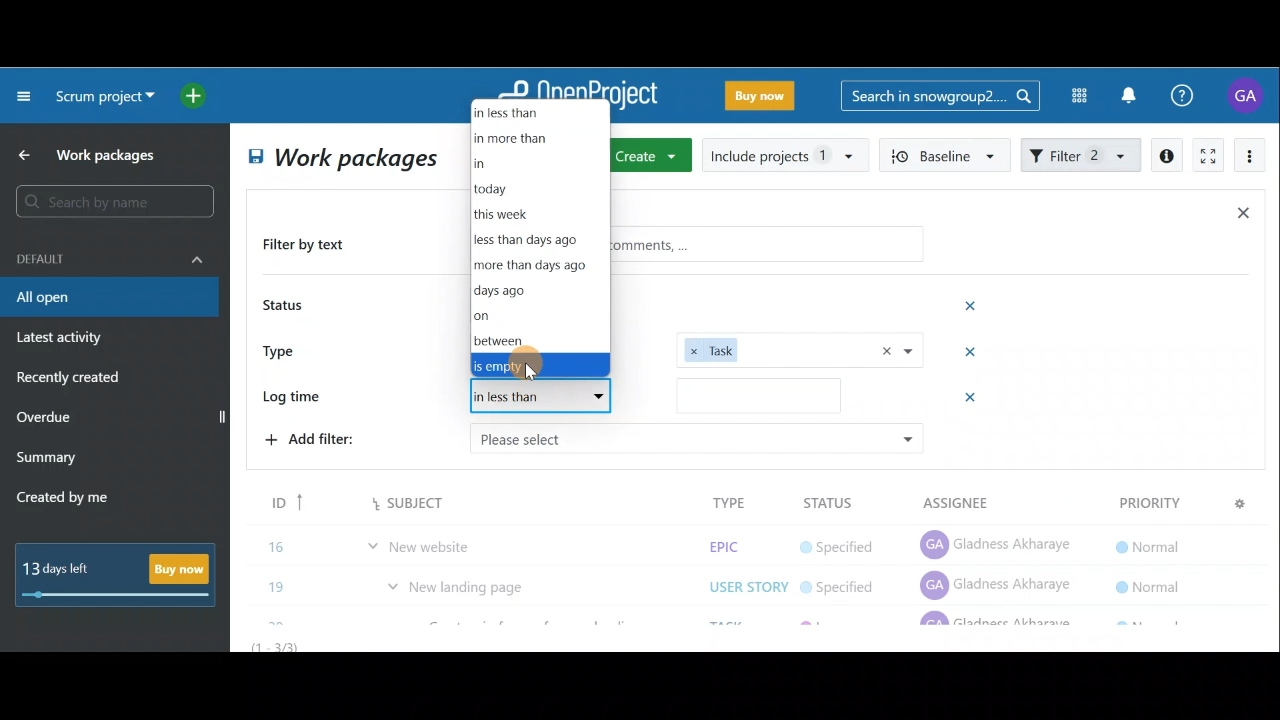  I want to click on task, so click(800, 349).